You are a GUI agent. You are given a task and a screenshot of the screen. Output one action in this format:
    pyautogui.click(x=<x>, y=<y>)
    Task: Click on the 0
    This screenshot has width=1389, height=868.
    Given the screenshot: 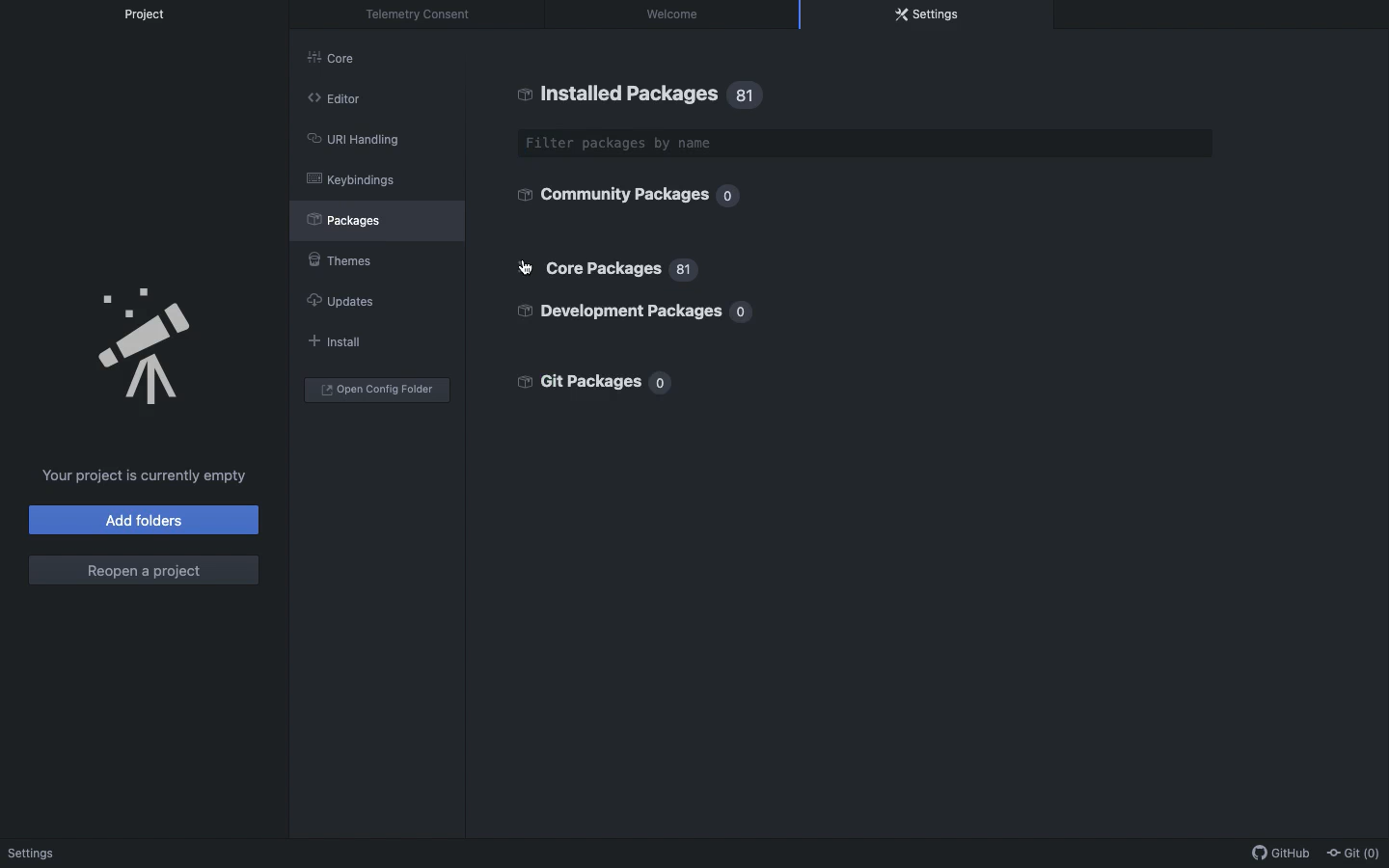 What is the action you would take?
    pyautogui.click(x=729, y=197)
    